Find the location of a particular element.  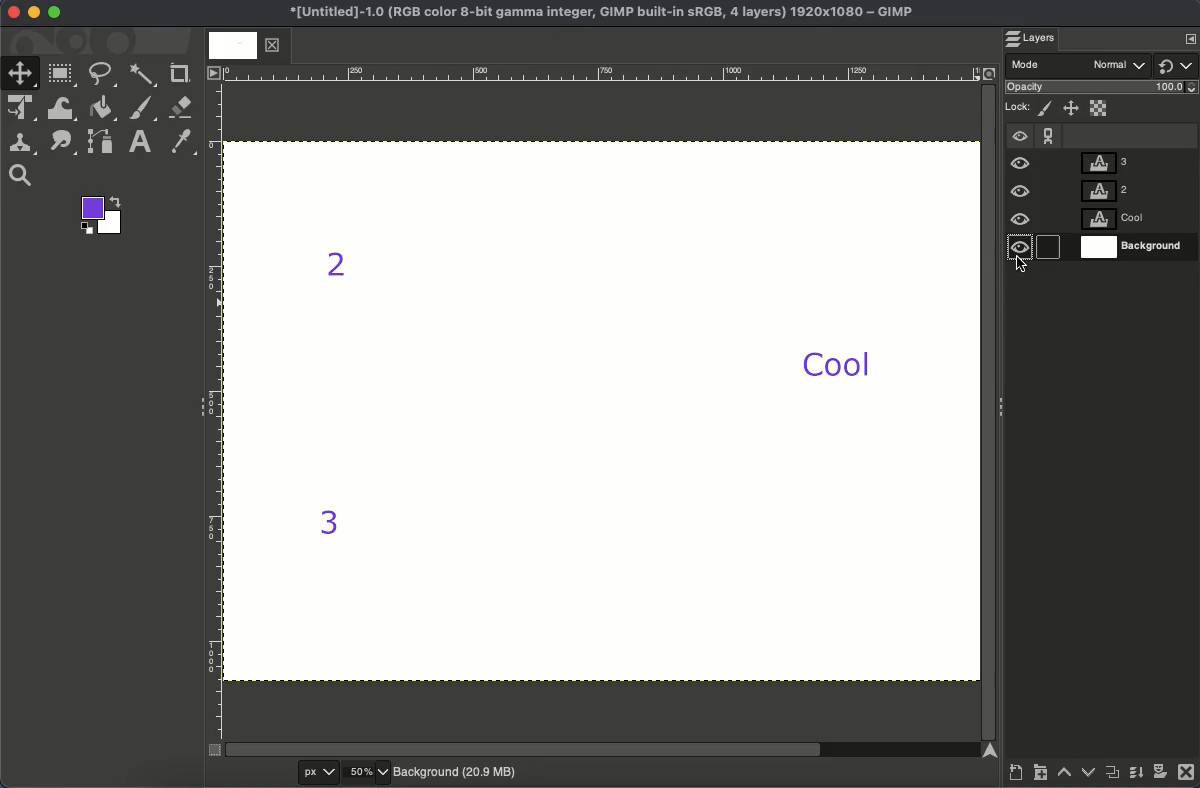

Duplicate is located at coordinates (1113, 776).